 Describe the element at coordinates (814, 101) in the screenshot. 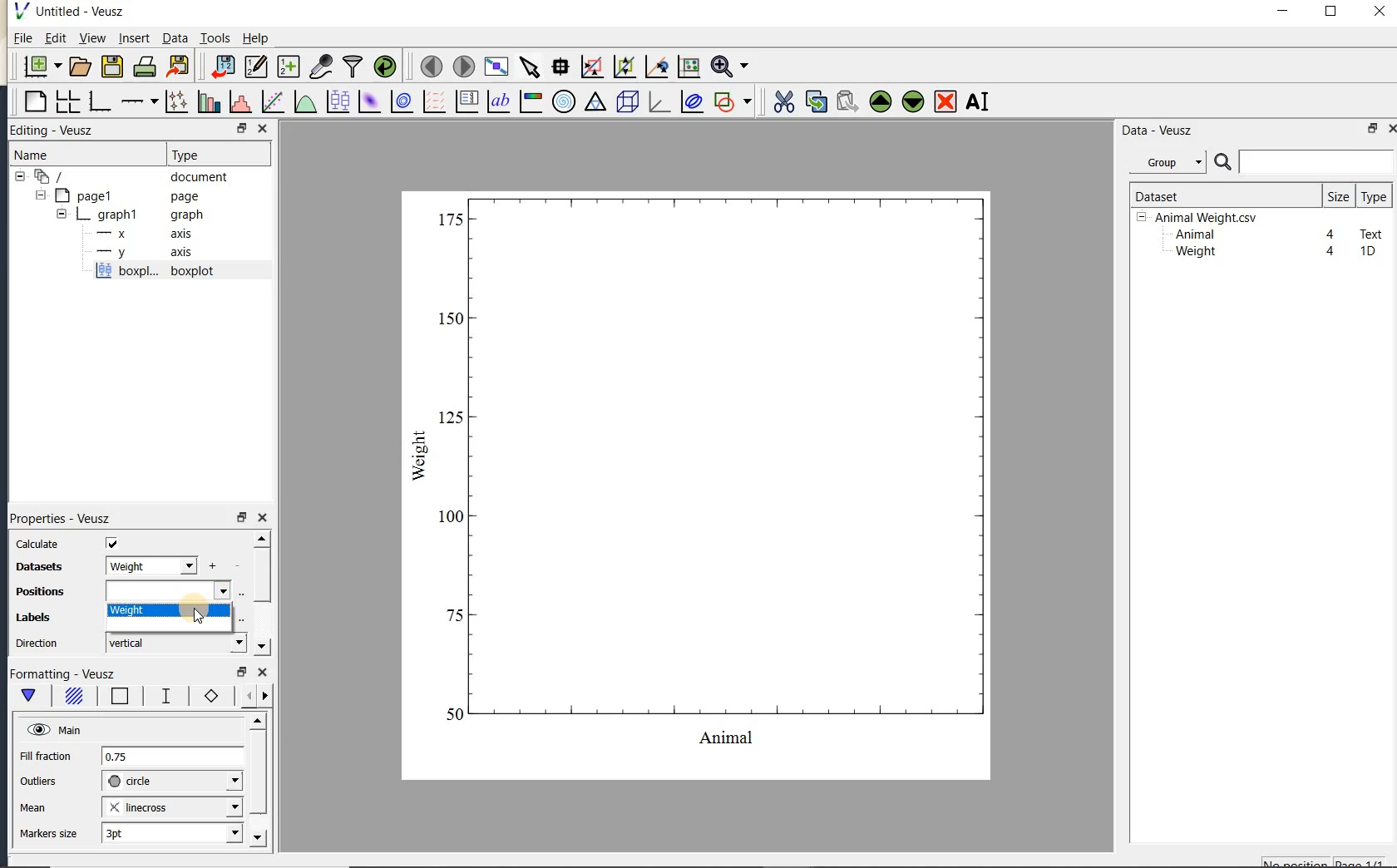

I see `copy the selected widget` at that location.